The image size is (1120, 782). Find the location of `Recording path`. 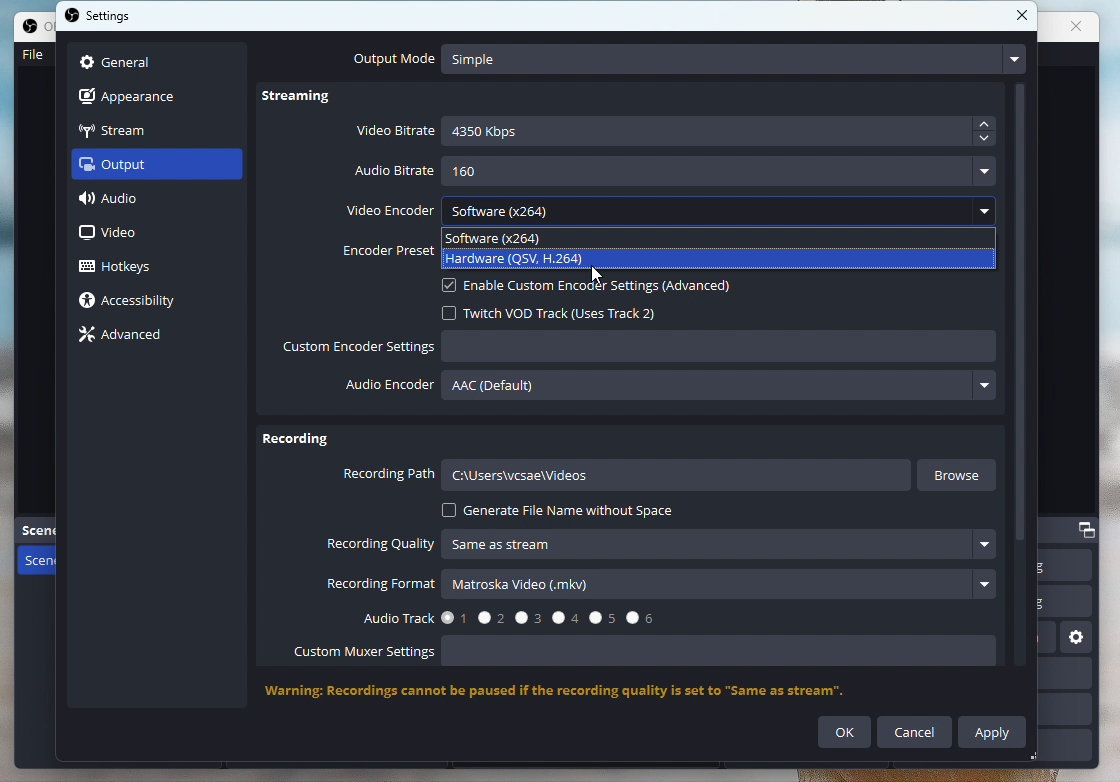

Recording path is located at coordinates (626, 478).